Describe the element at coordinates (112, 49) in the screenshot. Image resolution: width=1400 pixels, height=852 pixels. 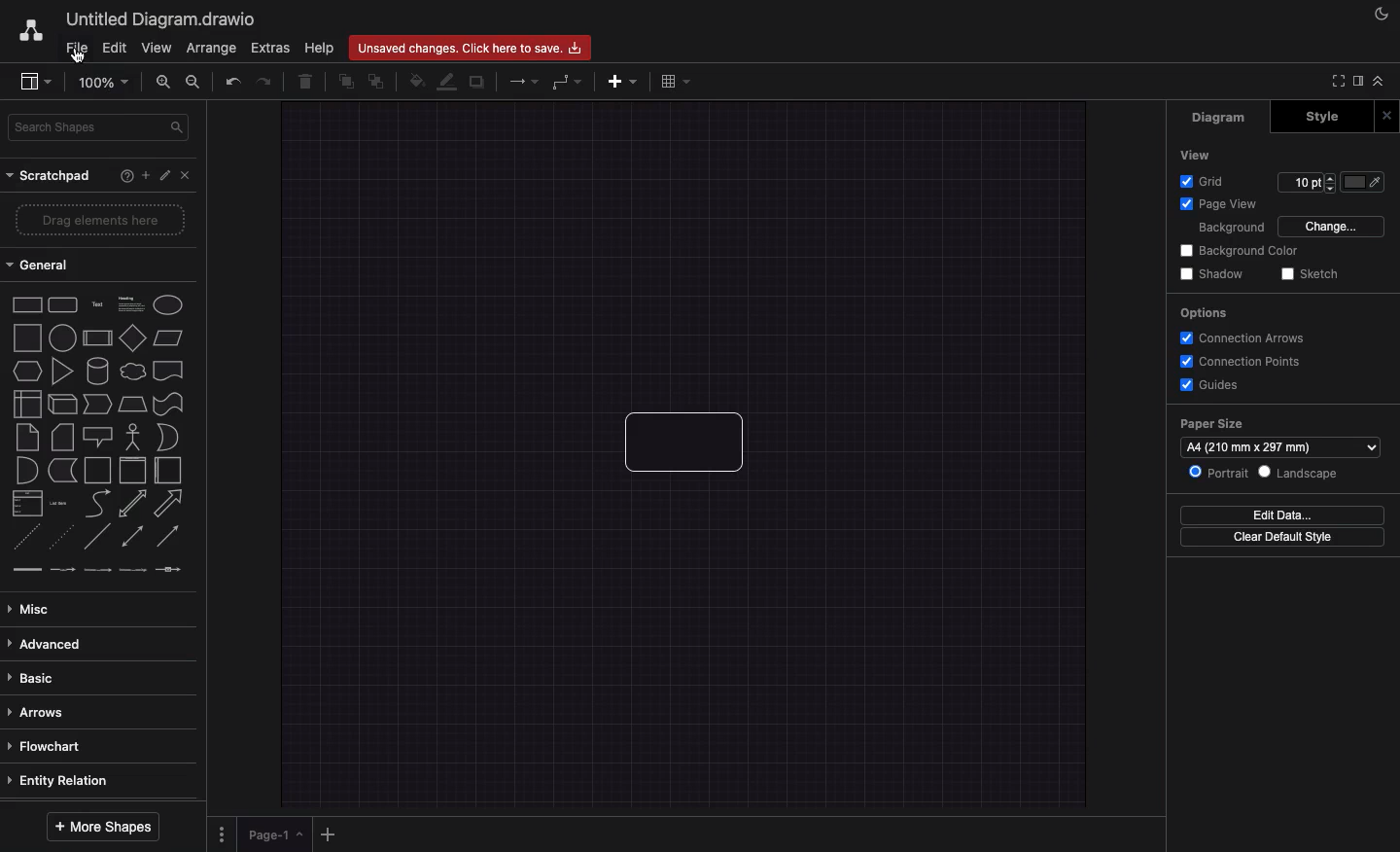
I see `Edit` at that location.